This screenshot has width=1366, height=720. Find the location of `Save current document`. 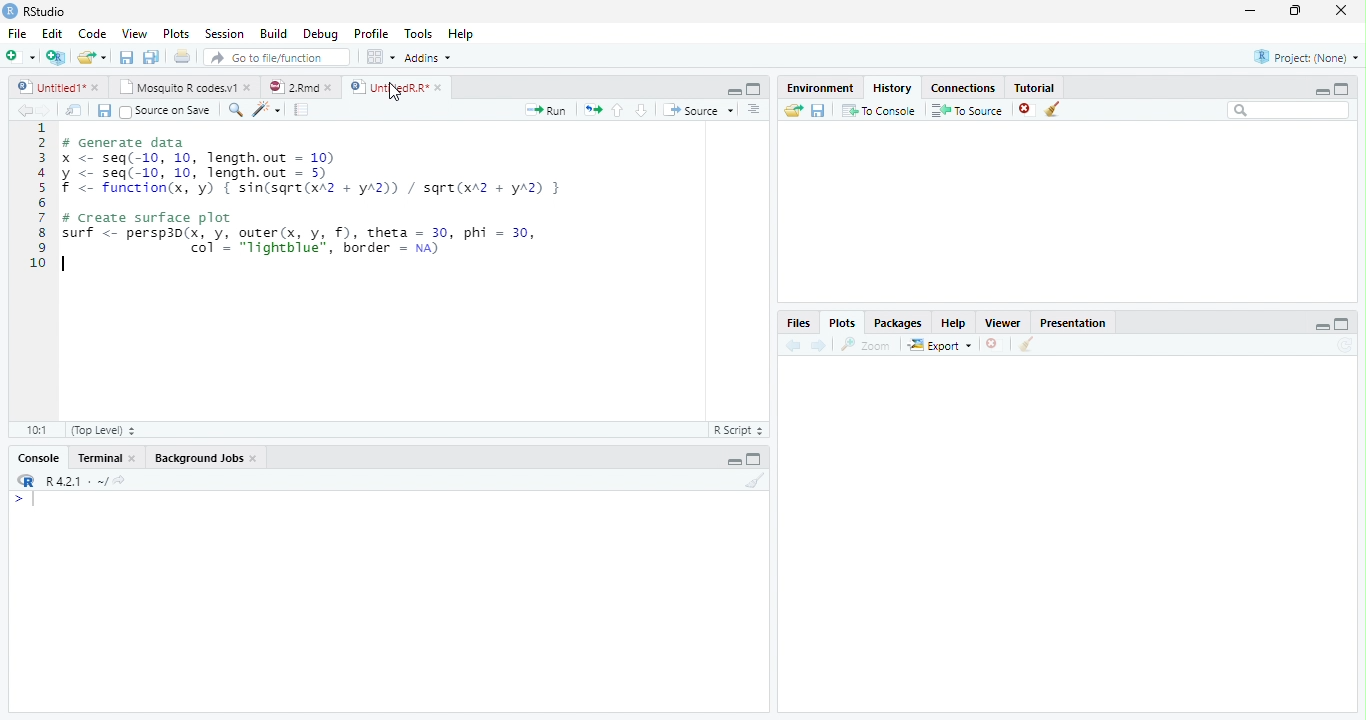

Save current document is located at coordinates (103, 110).